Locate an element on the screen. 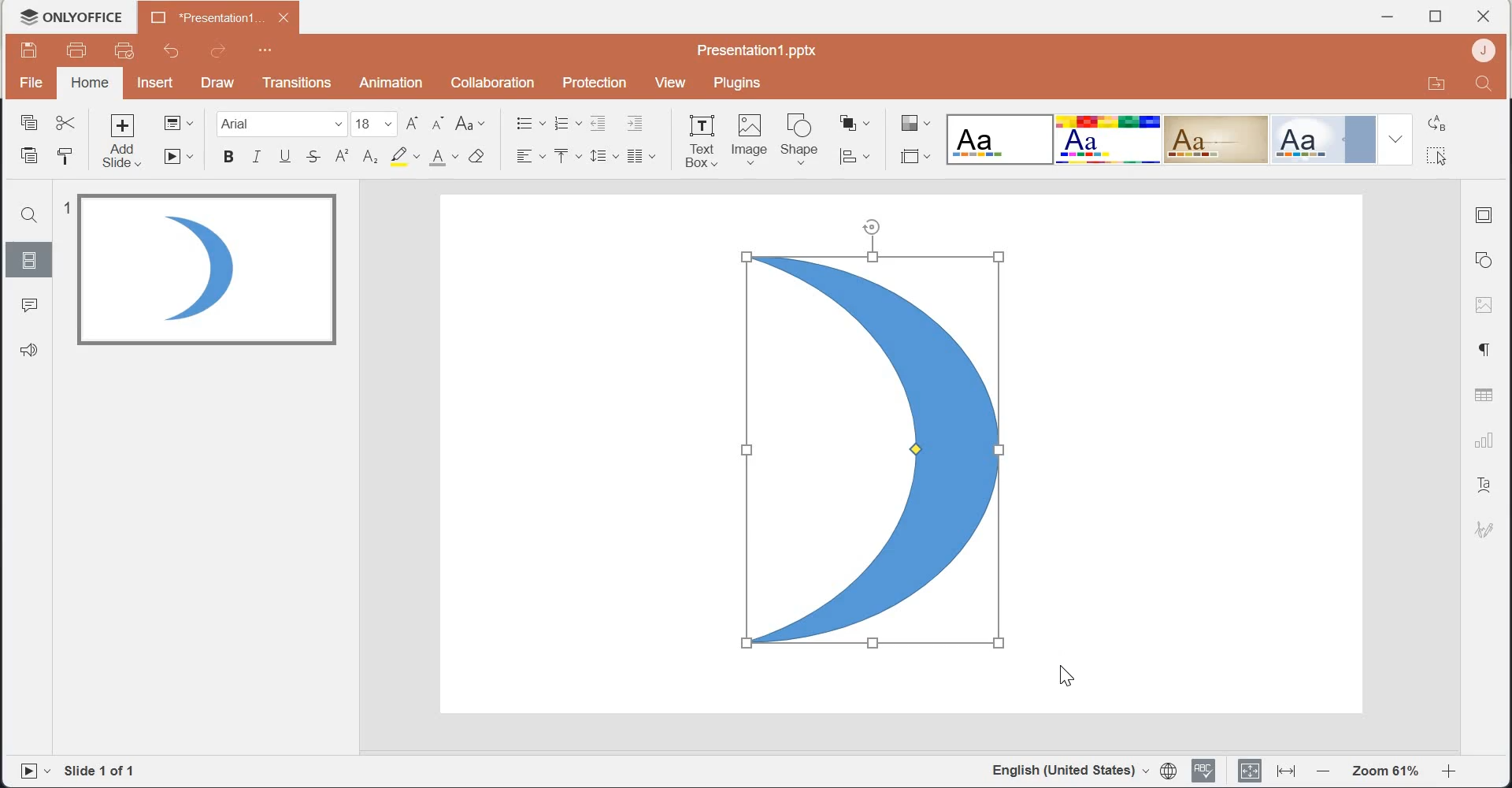 Image resolution: width=1512 pixels, height=788 pixels. Charts is located at coordinates (1485, 438).